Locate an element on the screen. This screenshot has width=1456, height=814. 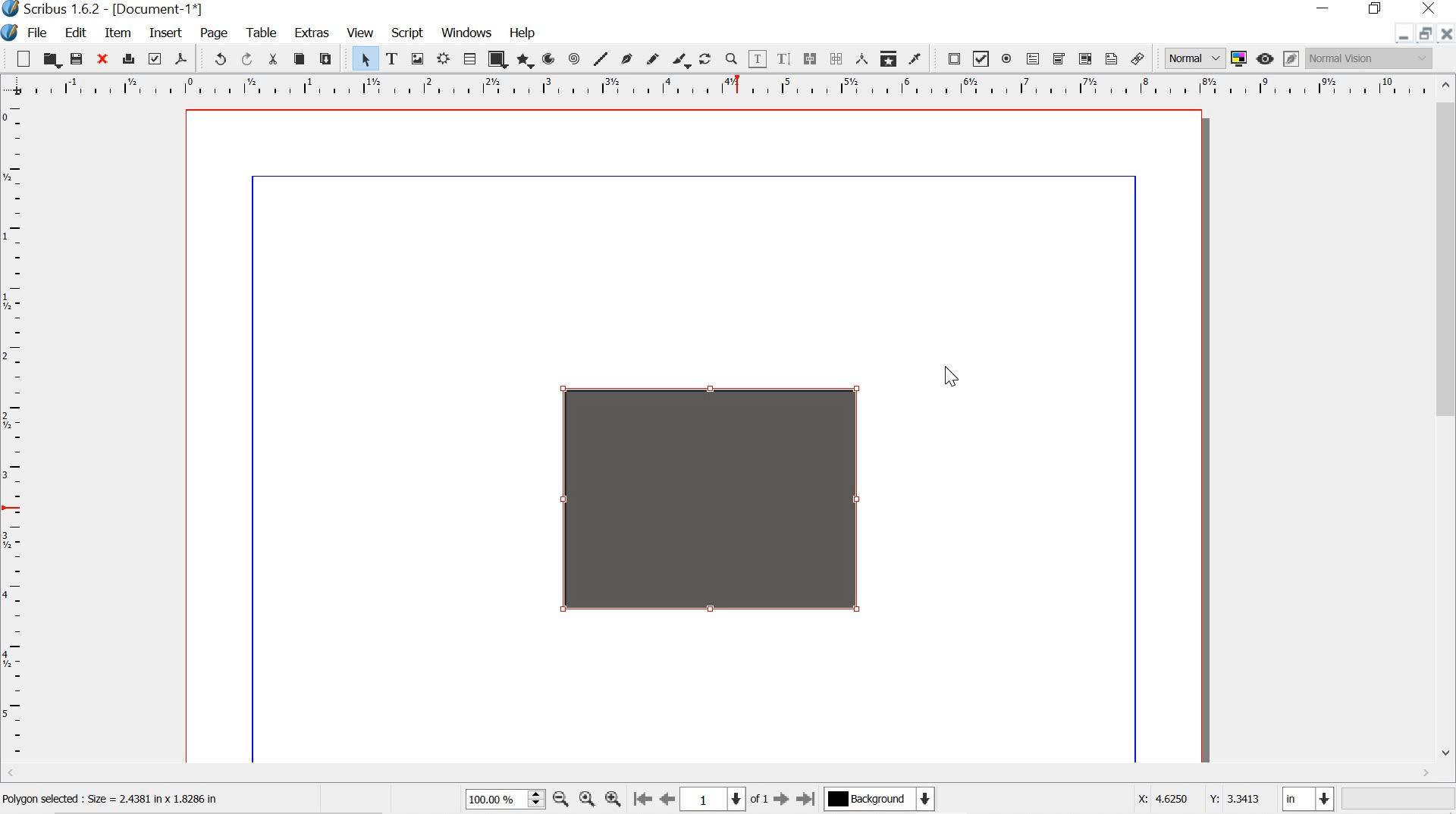
pdf push button is located at coordinates (951, 58).